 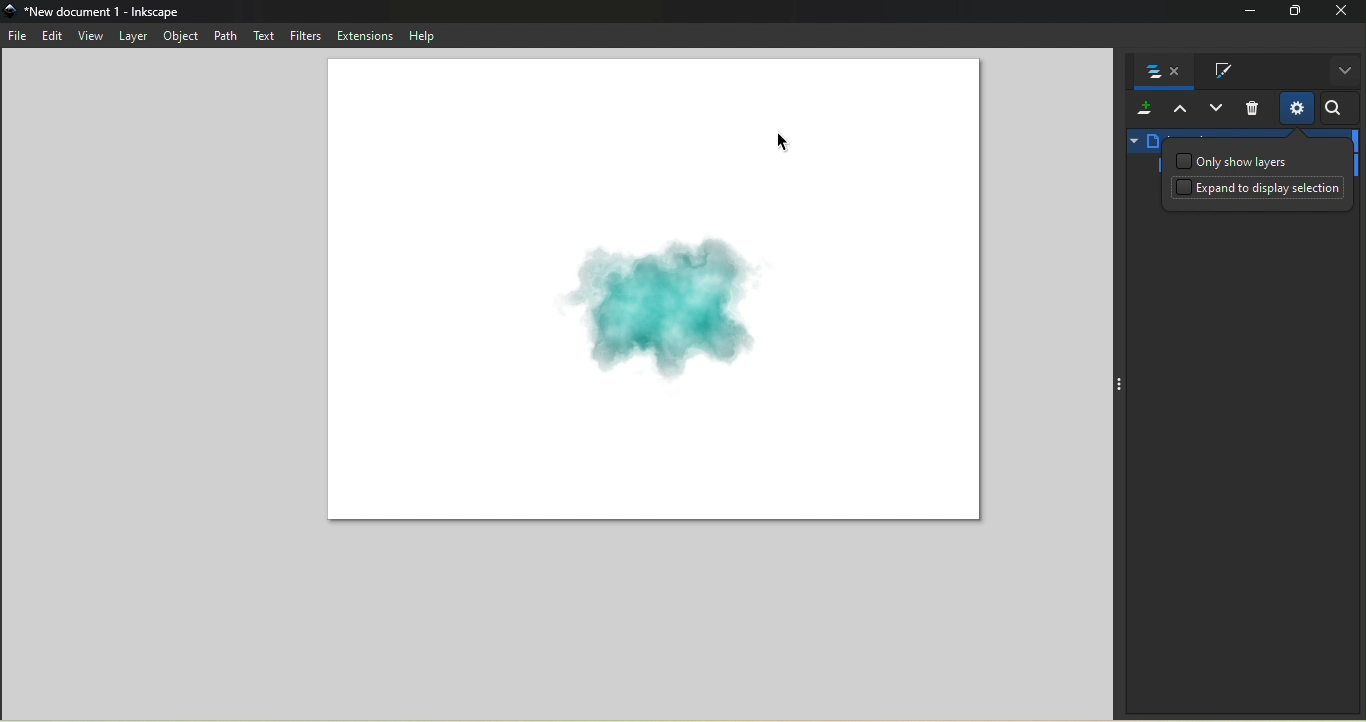 What do you see at coordinates (222, 34) in the screenshot?
I see `Path` at bounding box center [222, 34].